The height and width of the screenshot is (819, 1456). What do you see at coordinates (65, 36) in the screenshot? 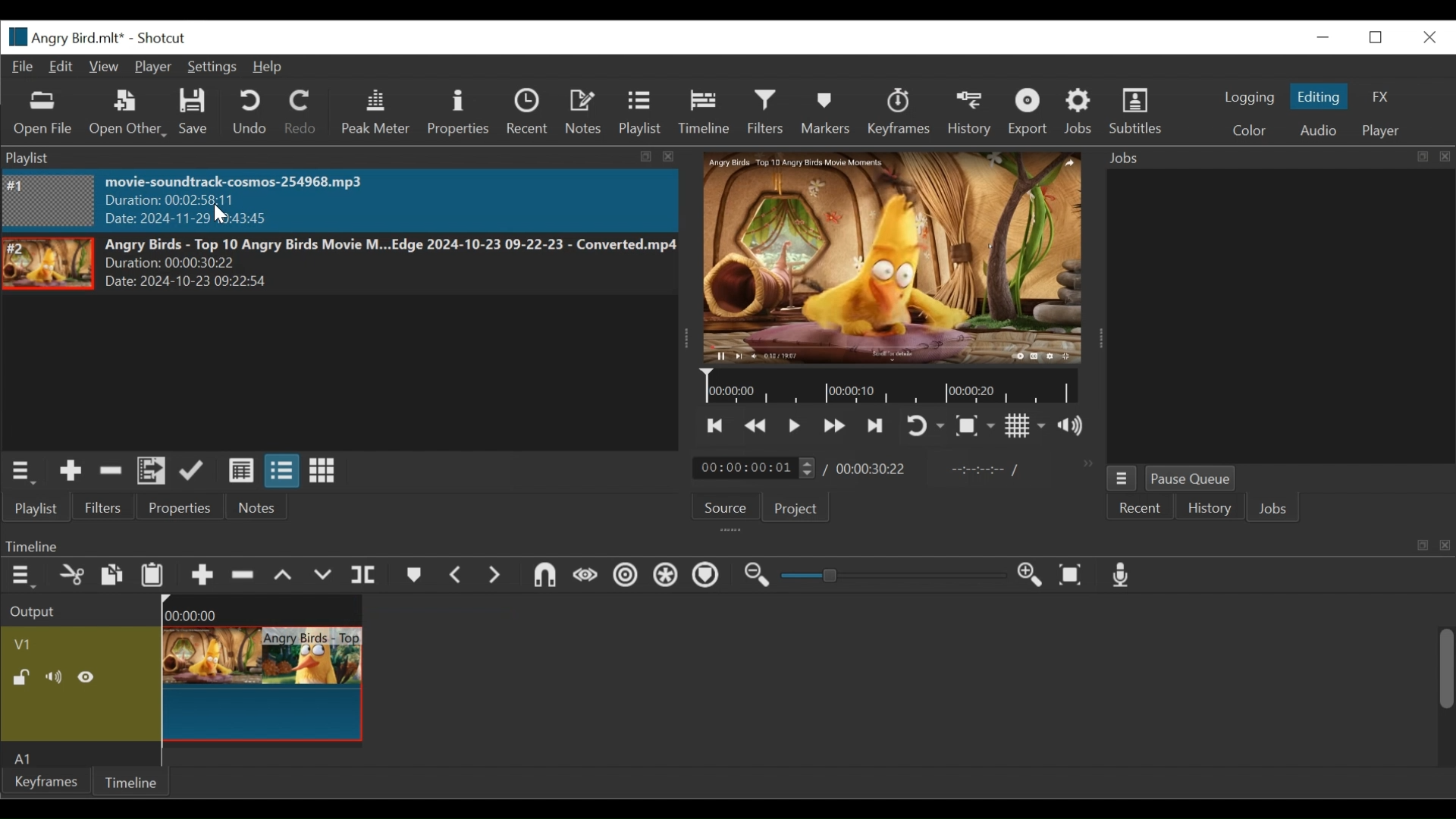
I see `File Name` at bounding box center [65, 36].